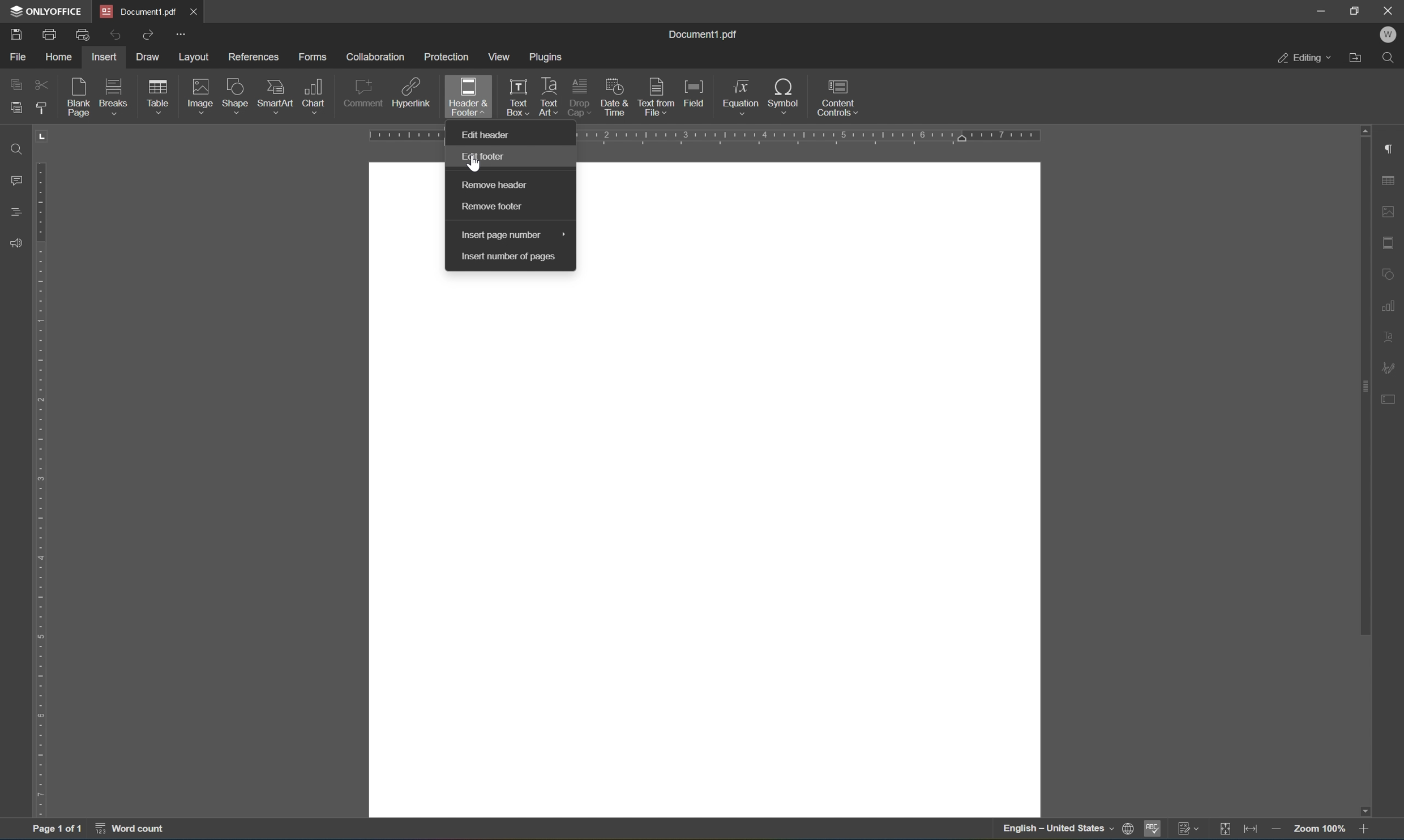  What do you see at coordinates (705, 34) in the screenshot?
I see `document1.pdf` at bounding box center [705, 34].